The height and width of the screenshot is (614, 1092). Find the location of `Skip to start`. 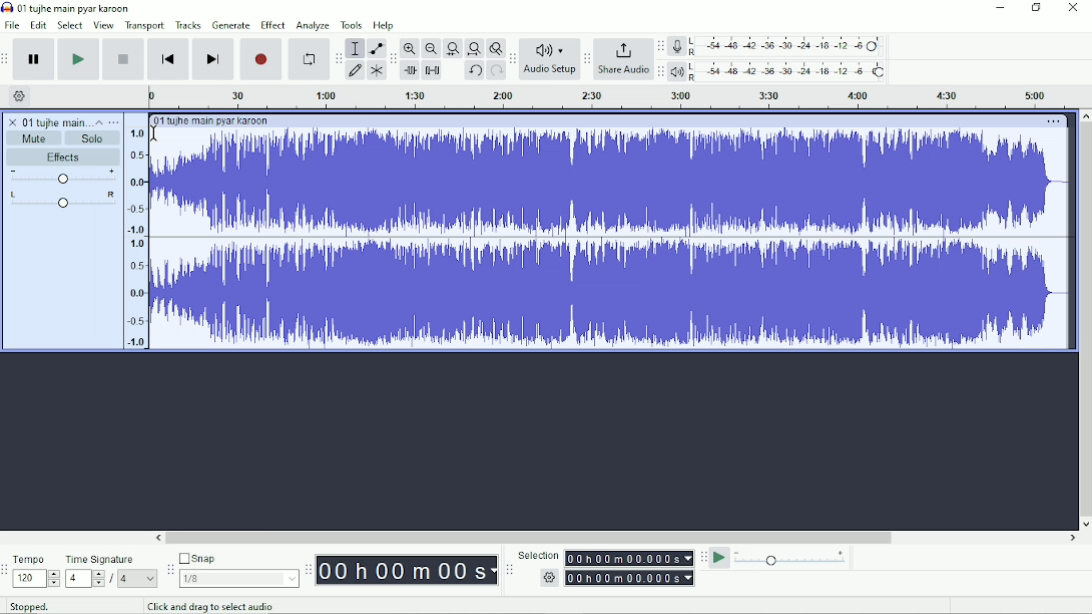

Skip to start is located at coordinates (169, 59).